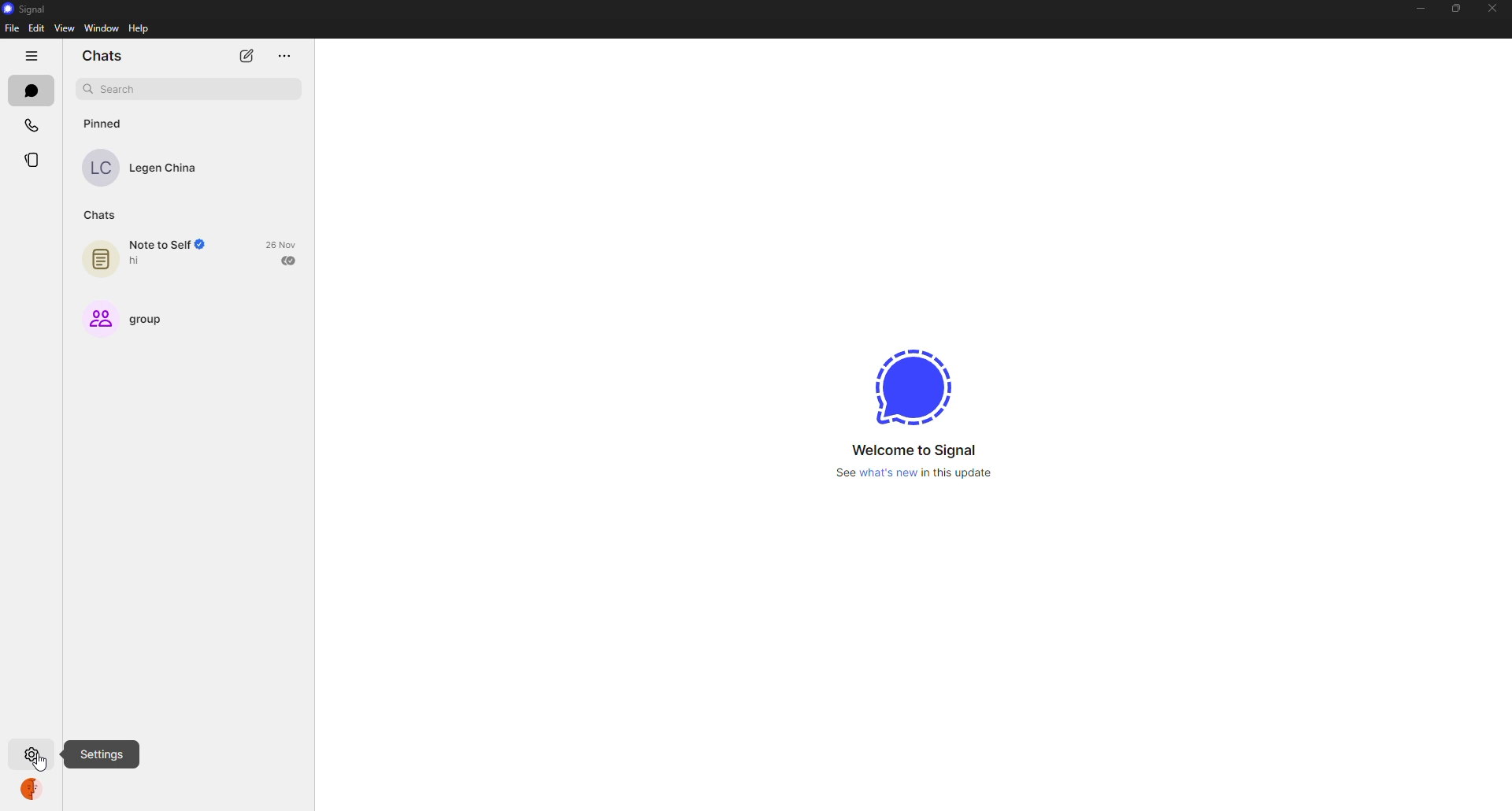  Describe the element at coordinates (31, 55) in the screenshot. I see `hide tabs` at that location.